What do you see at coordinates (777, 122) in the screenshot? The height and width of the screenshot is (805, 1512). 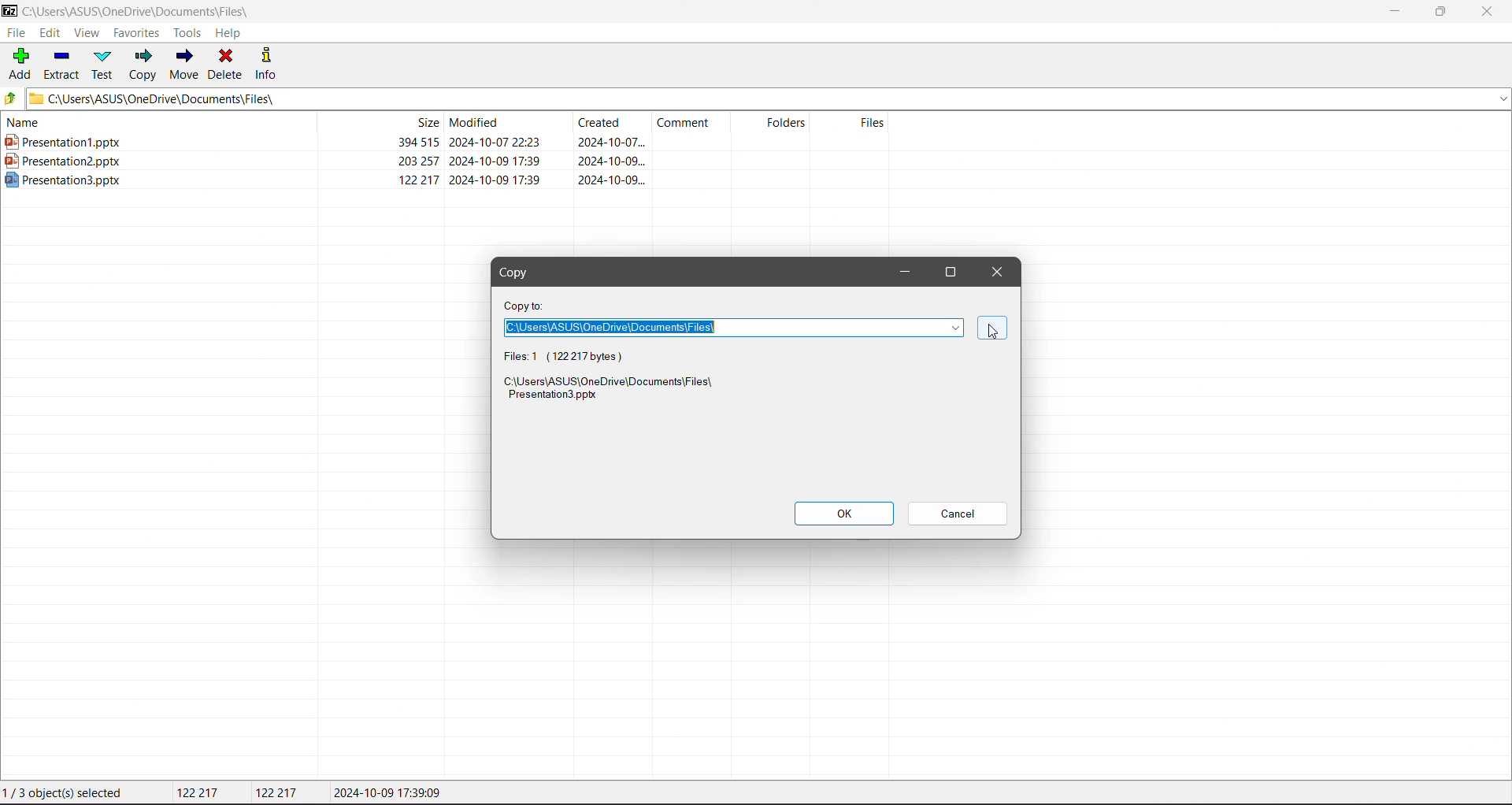 I see `Folders` at bounding box center [777, 122].